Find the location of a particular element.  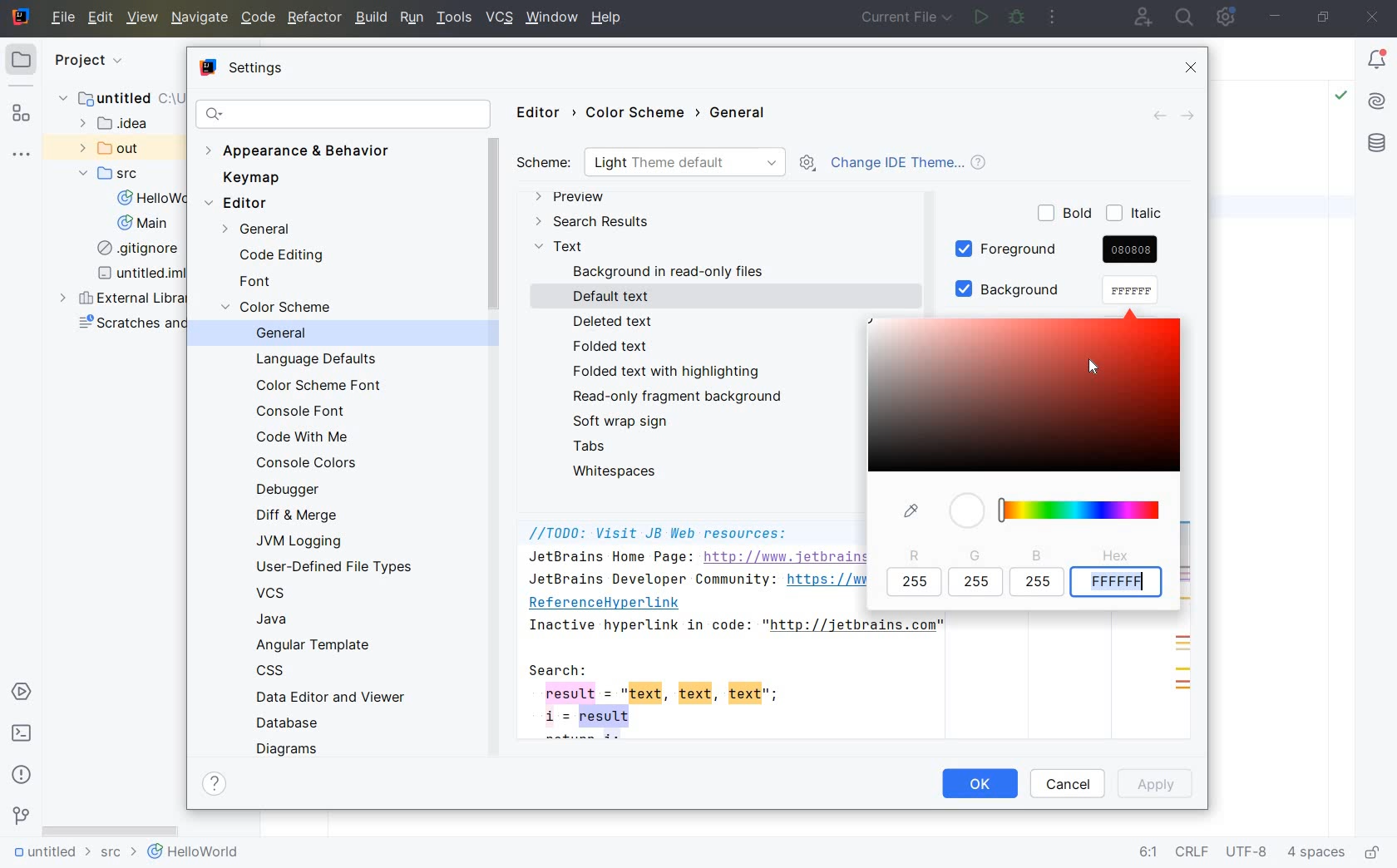

untitled is located at coordinates (116, 101).